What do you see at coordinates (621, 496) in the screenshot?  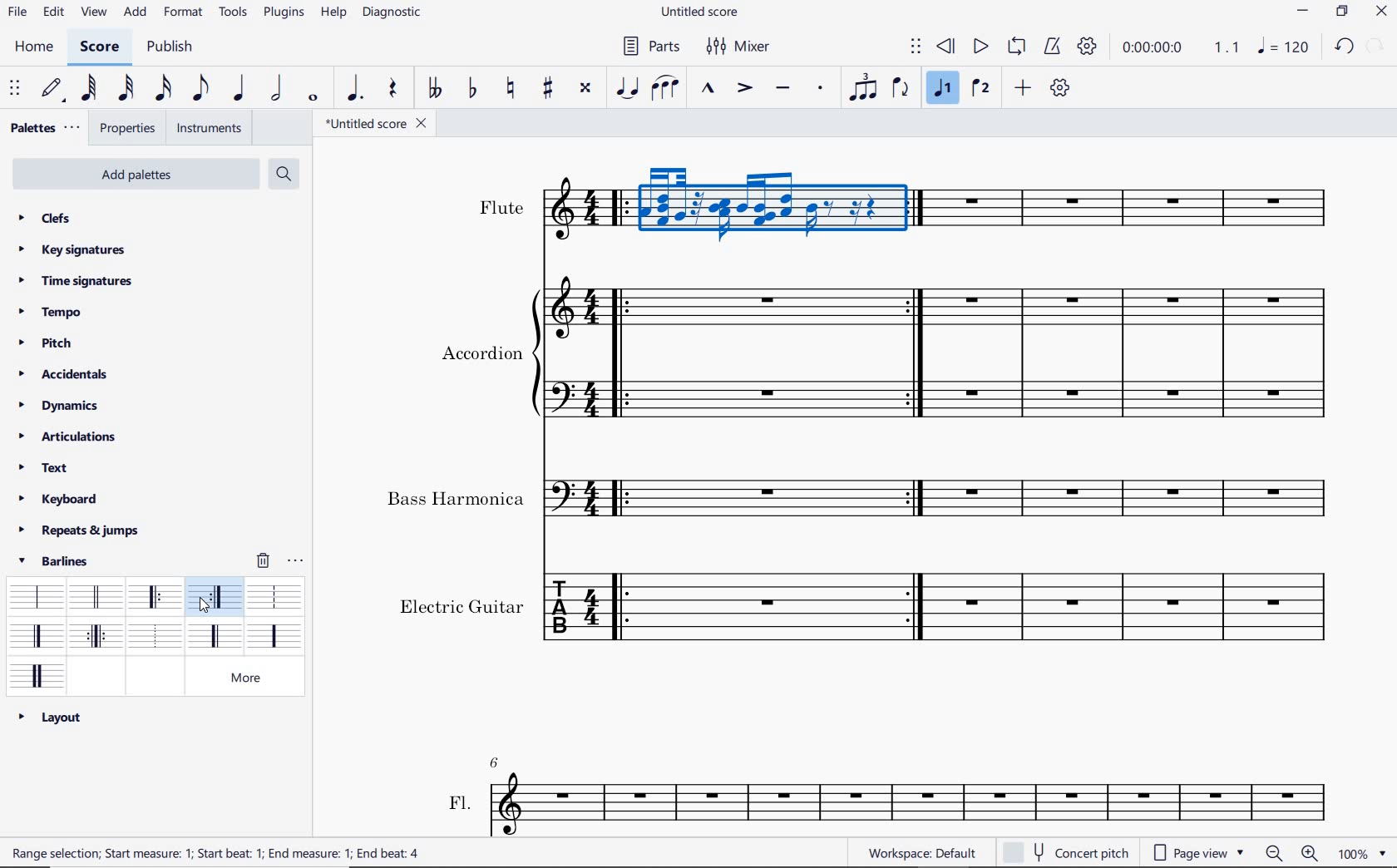 I see `left (start) repeat sign added` at bounding box center [621, 496].